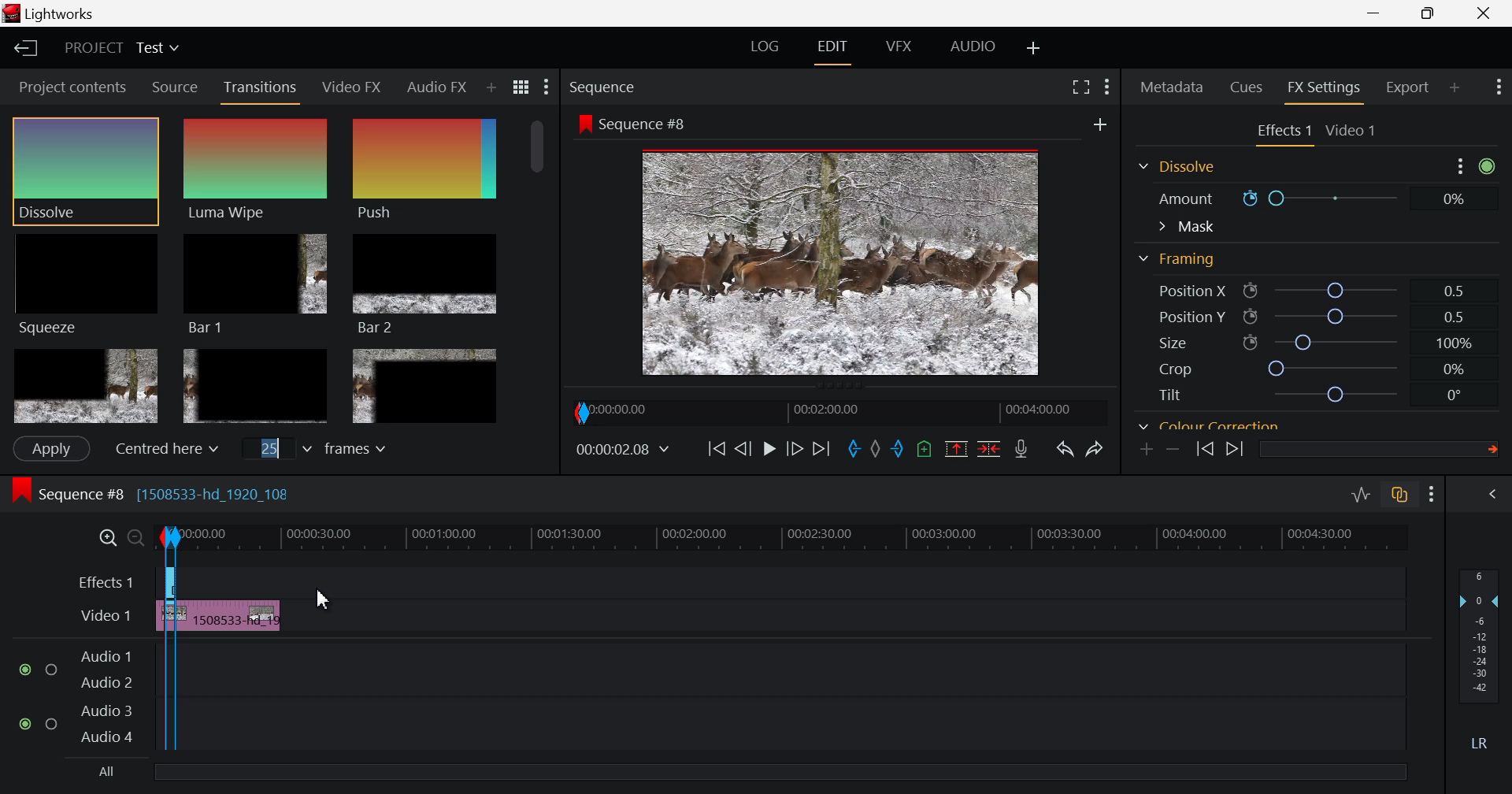  What do you see at coordinates (769, 452) in the screenshot?
I see `Video Paused` at bounding box center [769, 452].